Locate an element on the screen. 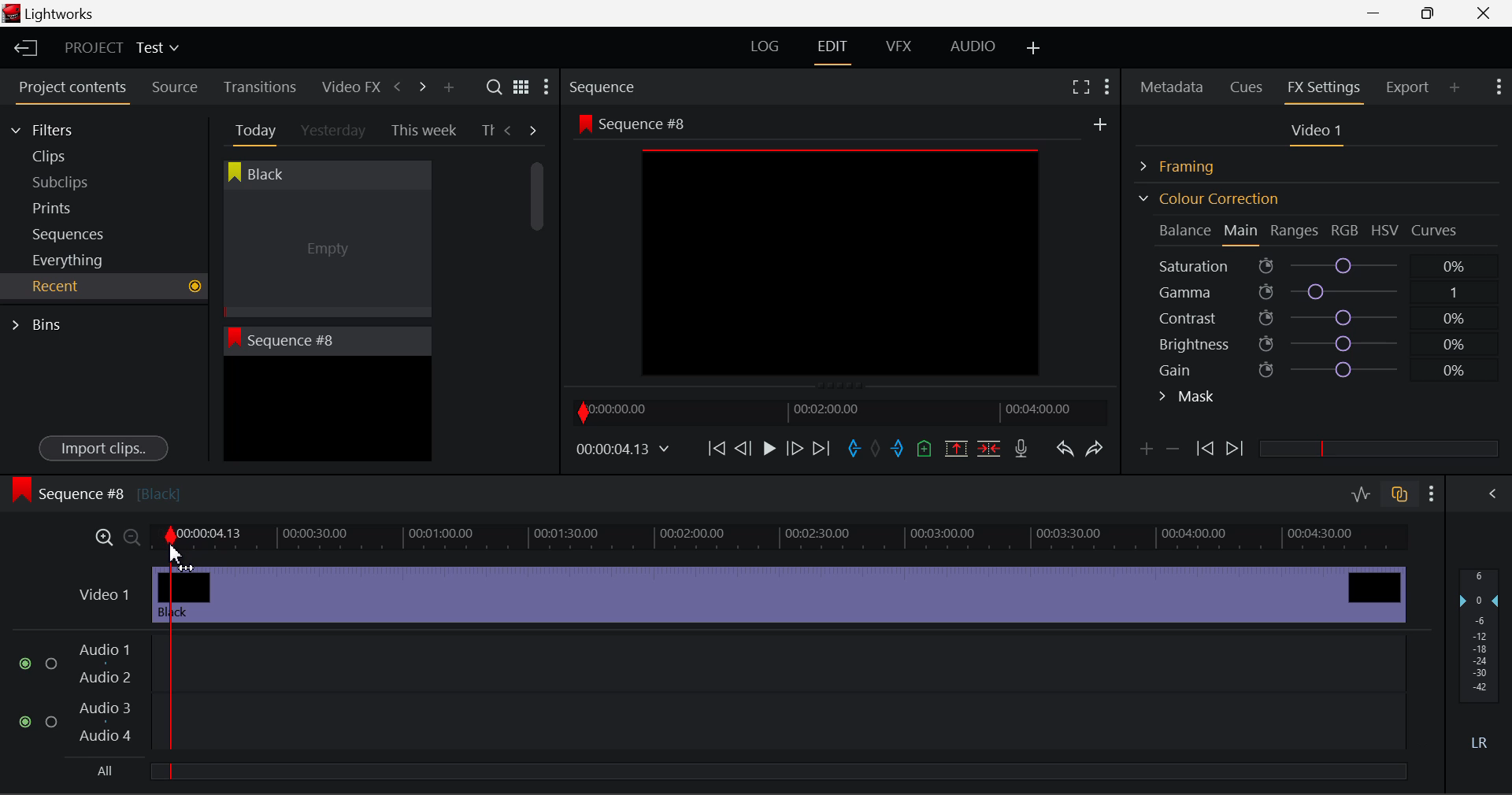 The height and width of the screenshot is (795, 1512). Show Settings is located at coordinates (1432, 494).